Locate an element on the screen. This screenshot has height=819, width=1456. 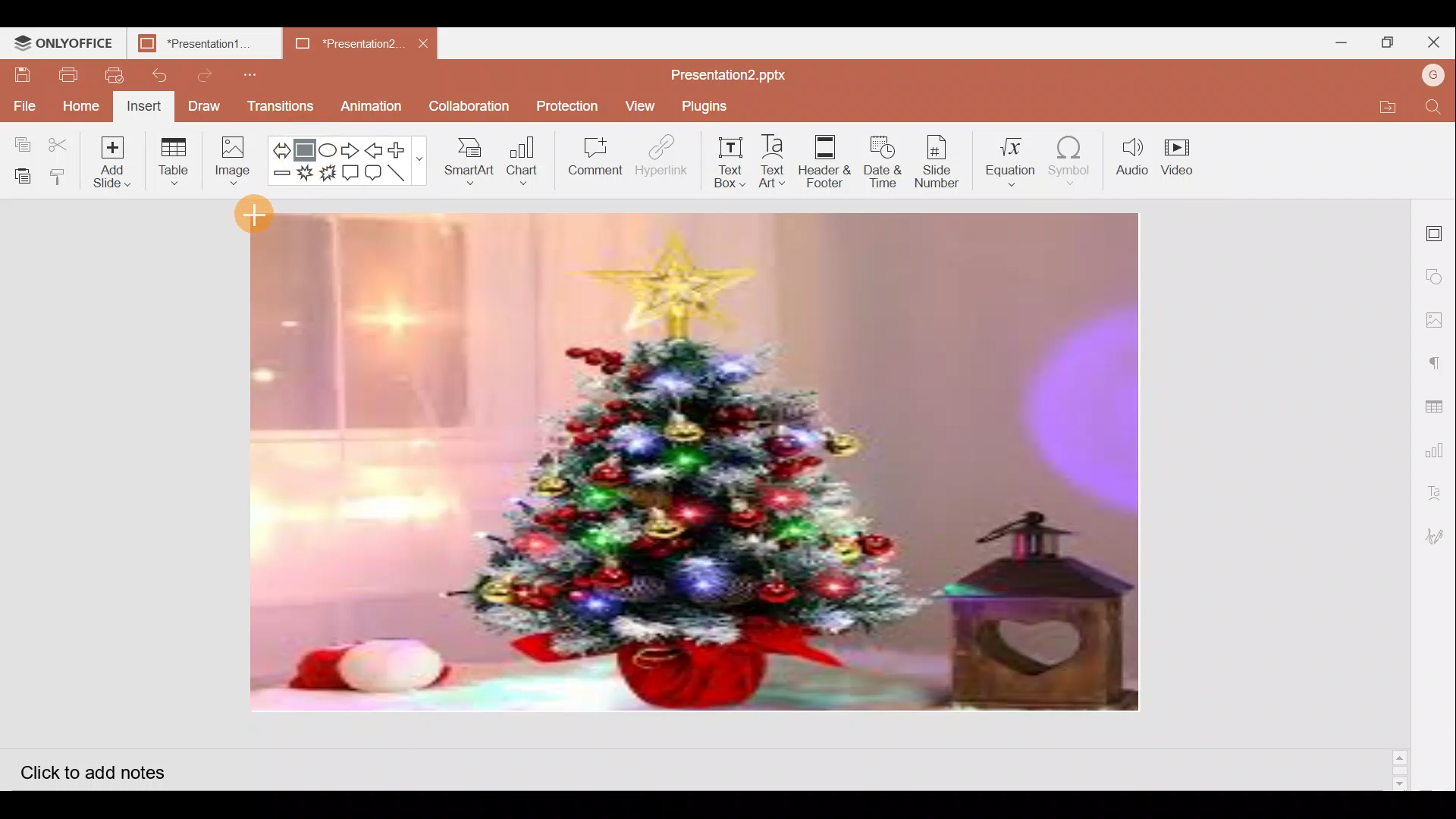
Rectangular callout is located at coordinates (352, 173).